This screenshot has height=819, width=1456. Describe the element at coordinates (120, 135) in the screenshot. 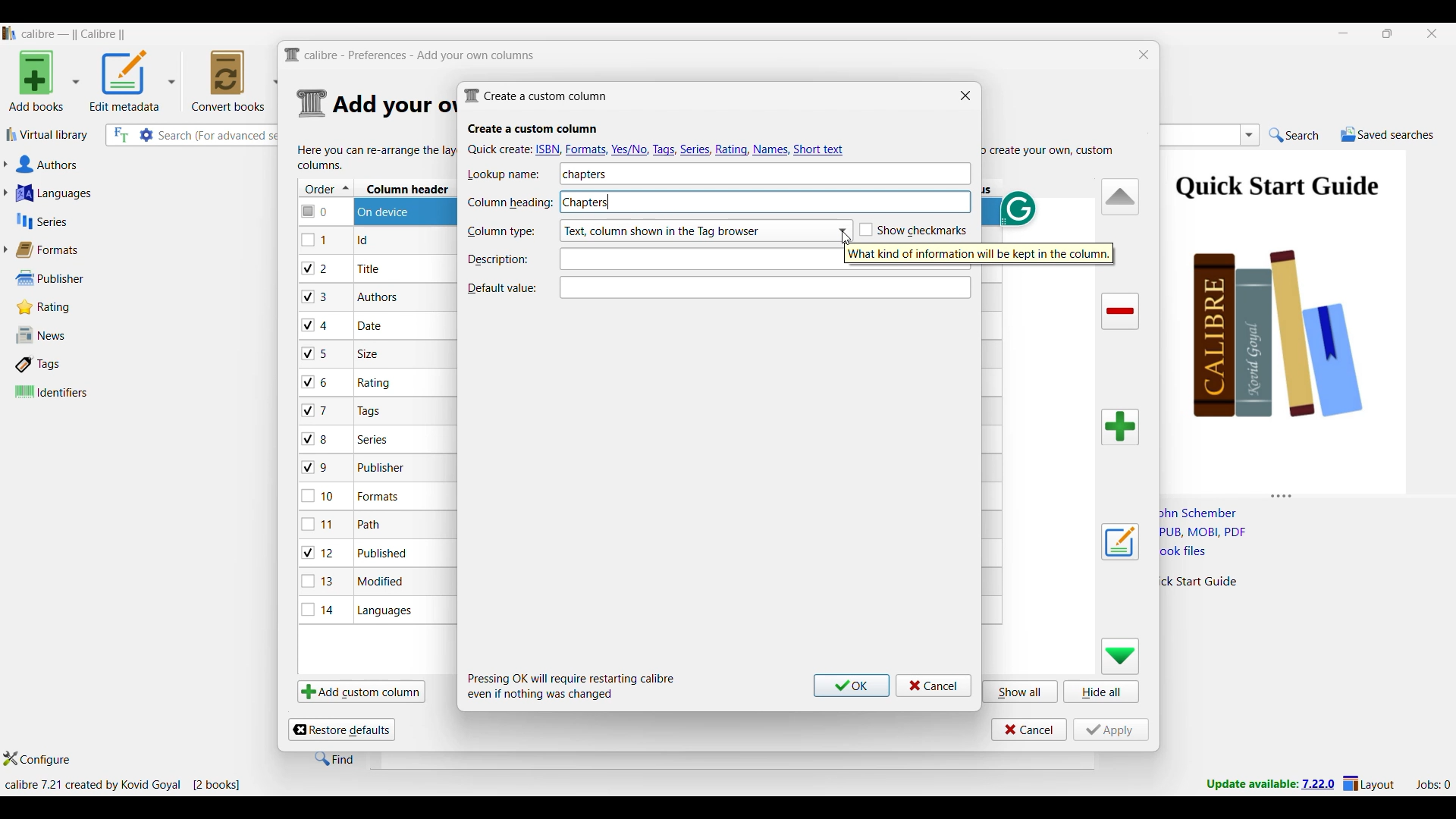

I see `Search the full text of all books` at that location.